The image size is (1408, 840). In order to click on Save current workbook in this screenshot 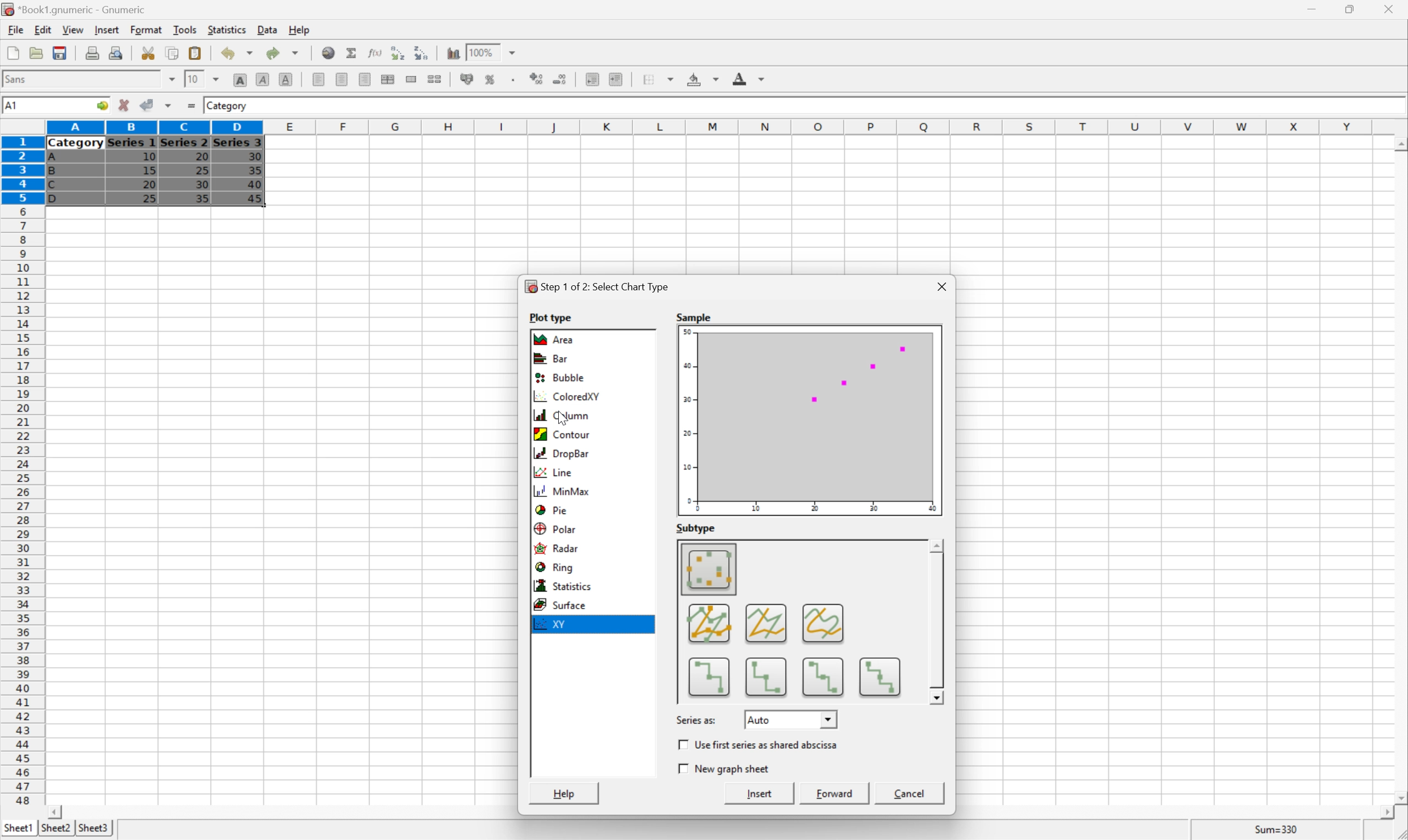, I will do `click(59, 52)`.